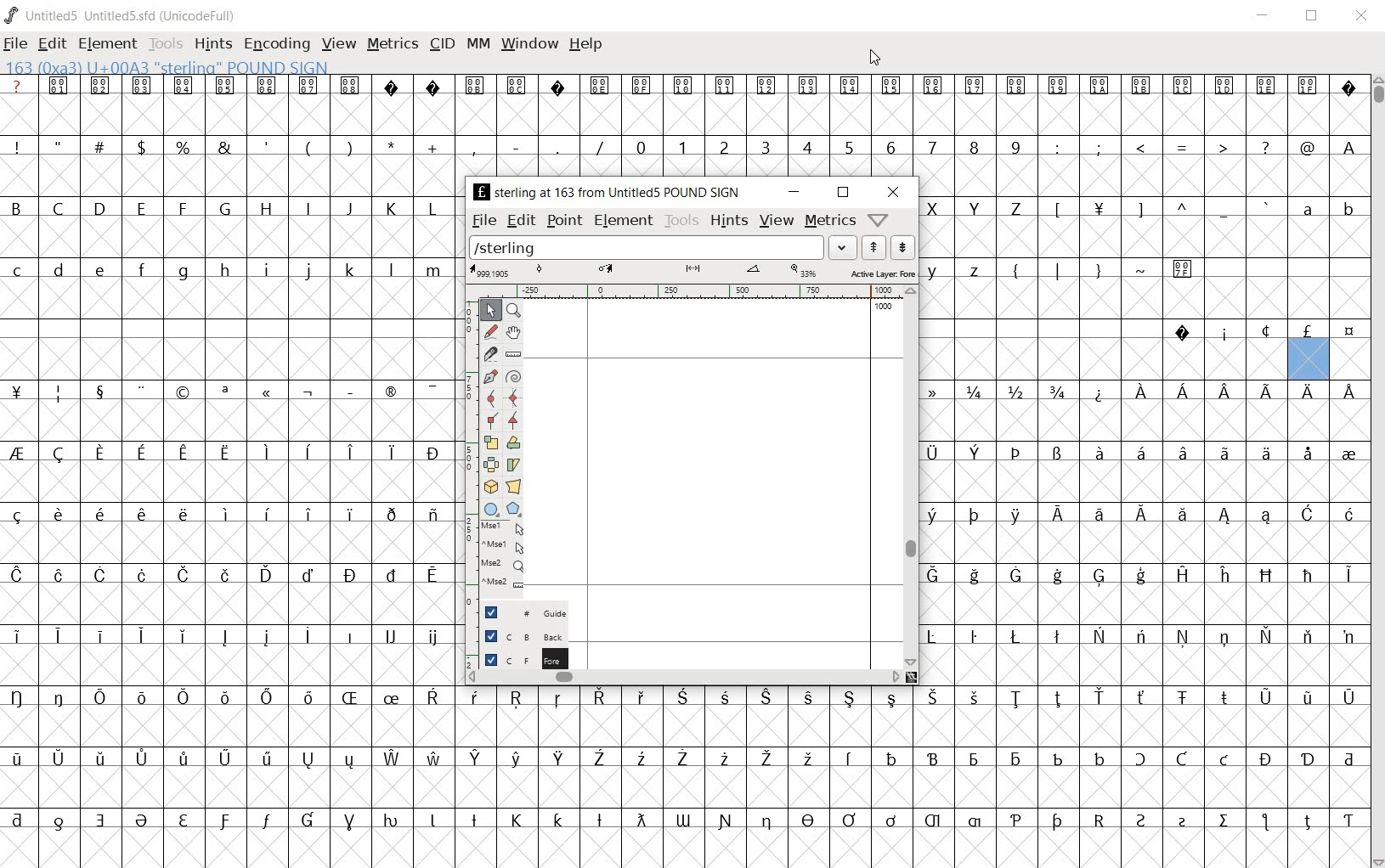  I want to click on Symbol, so click(1056, 758).